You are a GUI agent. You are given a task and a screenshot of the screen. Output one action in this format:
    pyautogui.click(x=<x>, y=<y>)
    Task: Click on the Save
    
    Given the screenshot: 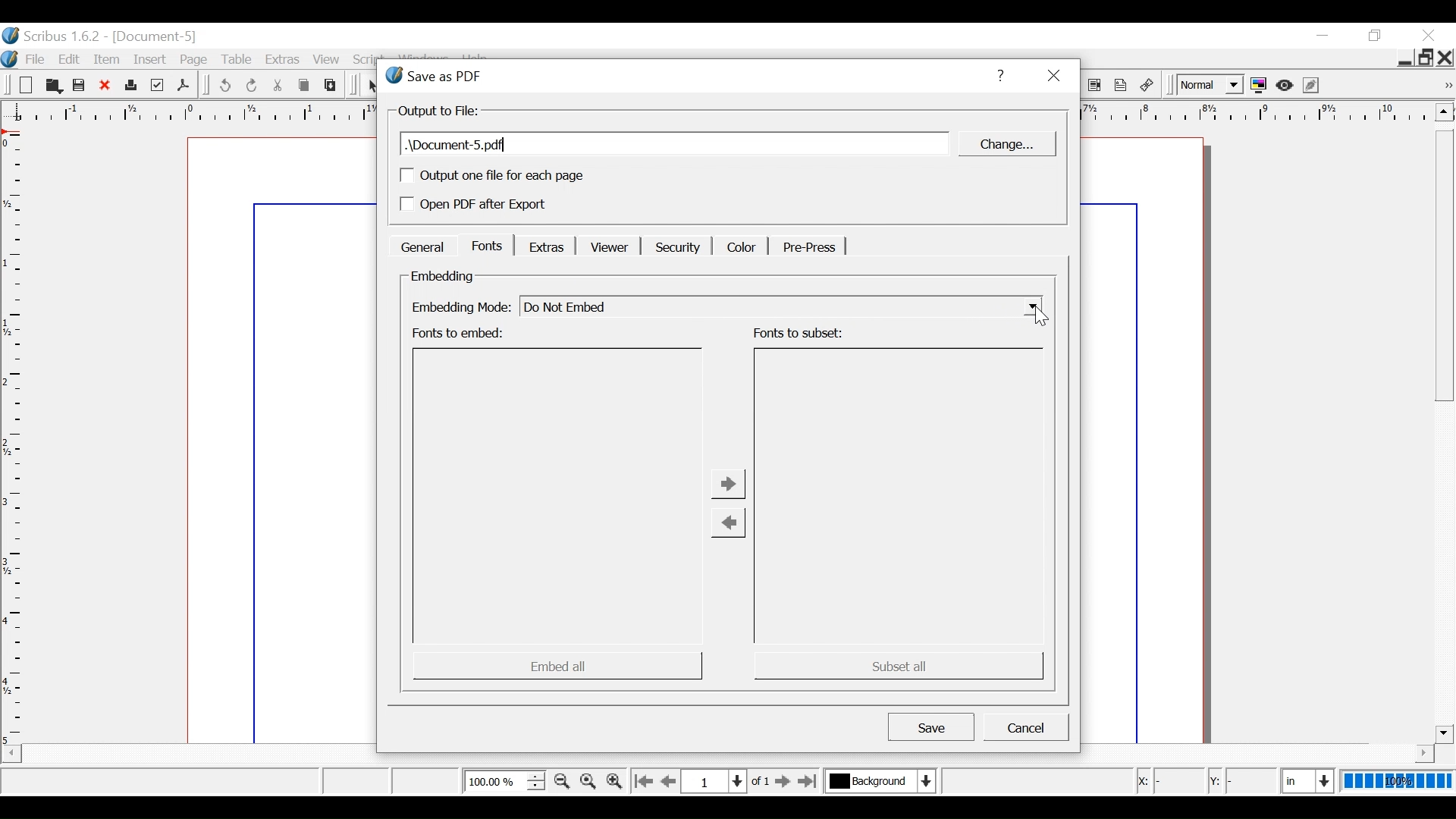 What is the action you would take?
    pyautogui.click(x=80, y=86)
    